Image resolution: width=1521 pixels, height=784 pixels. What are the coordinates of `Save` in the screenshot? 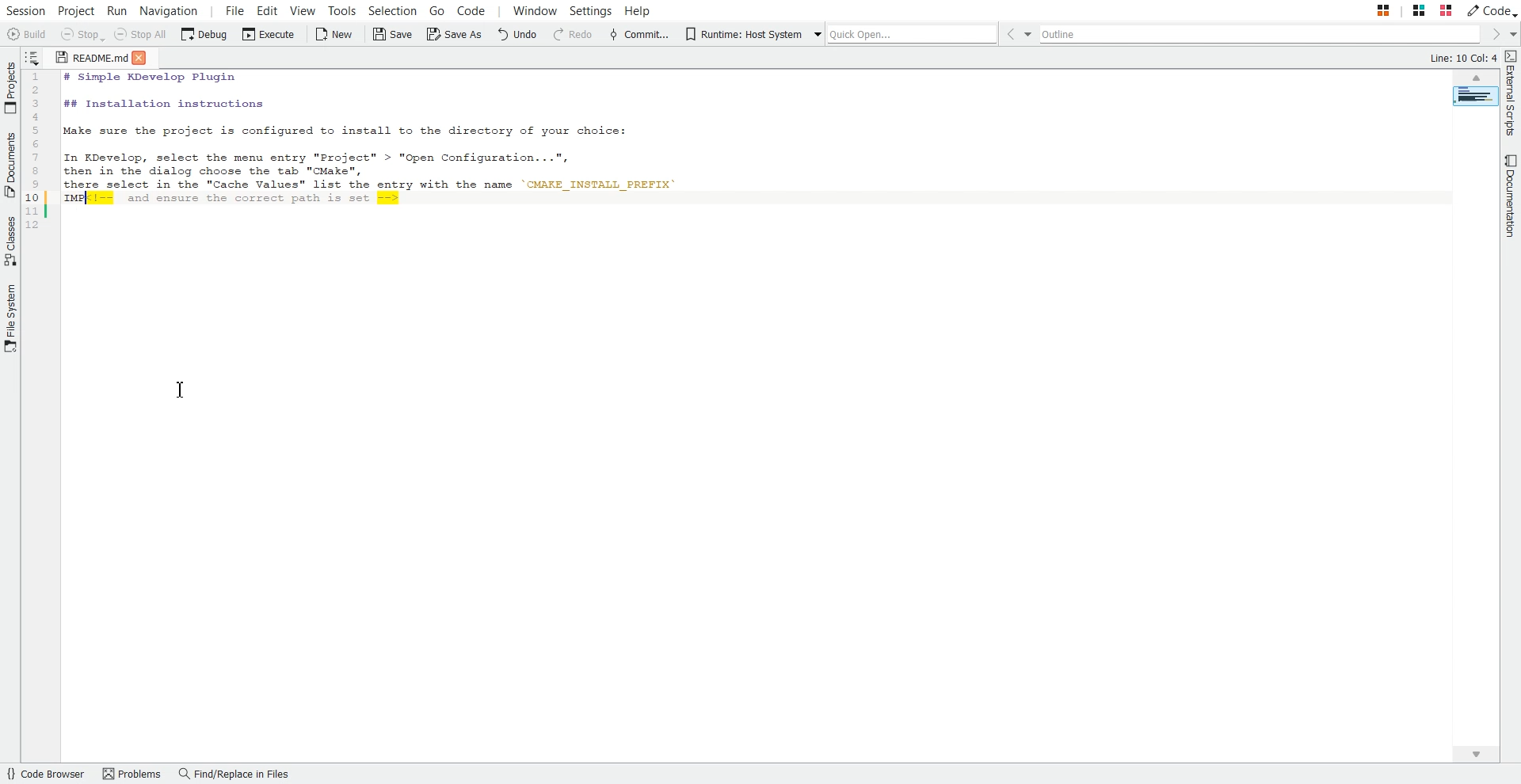 It's located at (393, 35).